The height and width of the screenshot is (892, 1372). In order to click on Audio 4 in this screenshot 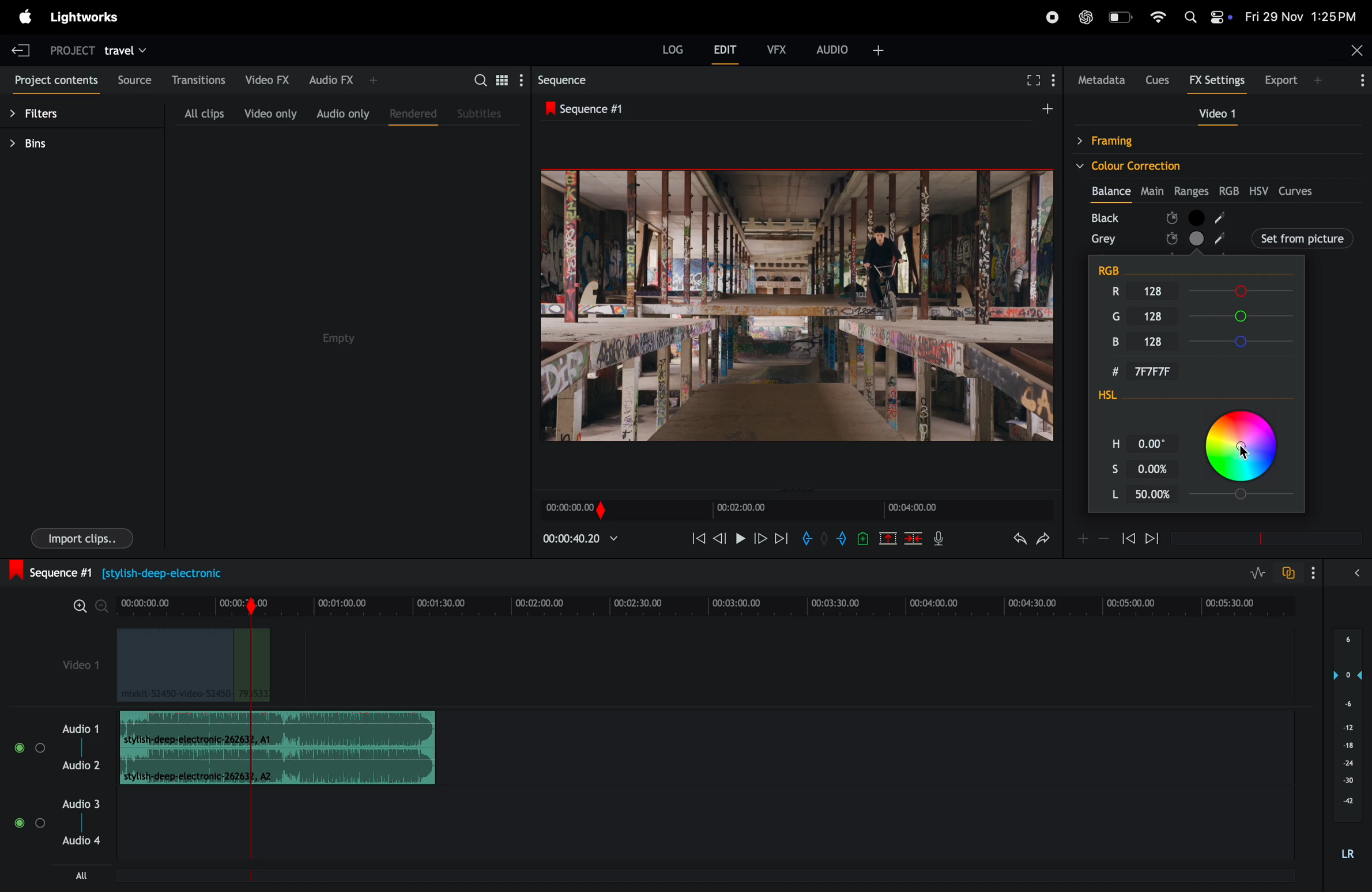, I will do `click(83, 842)`.